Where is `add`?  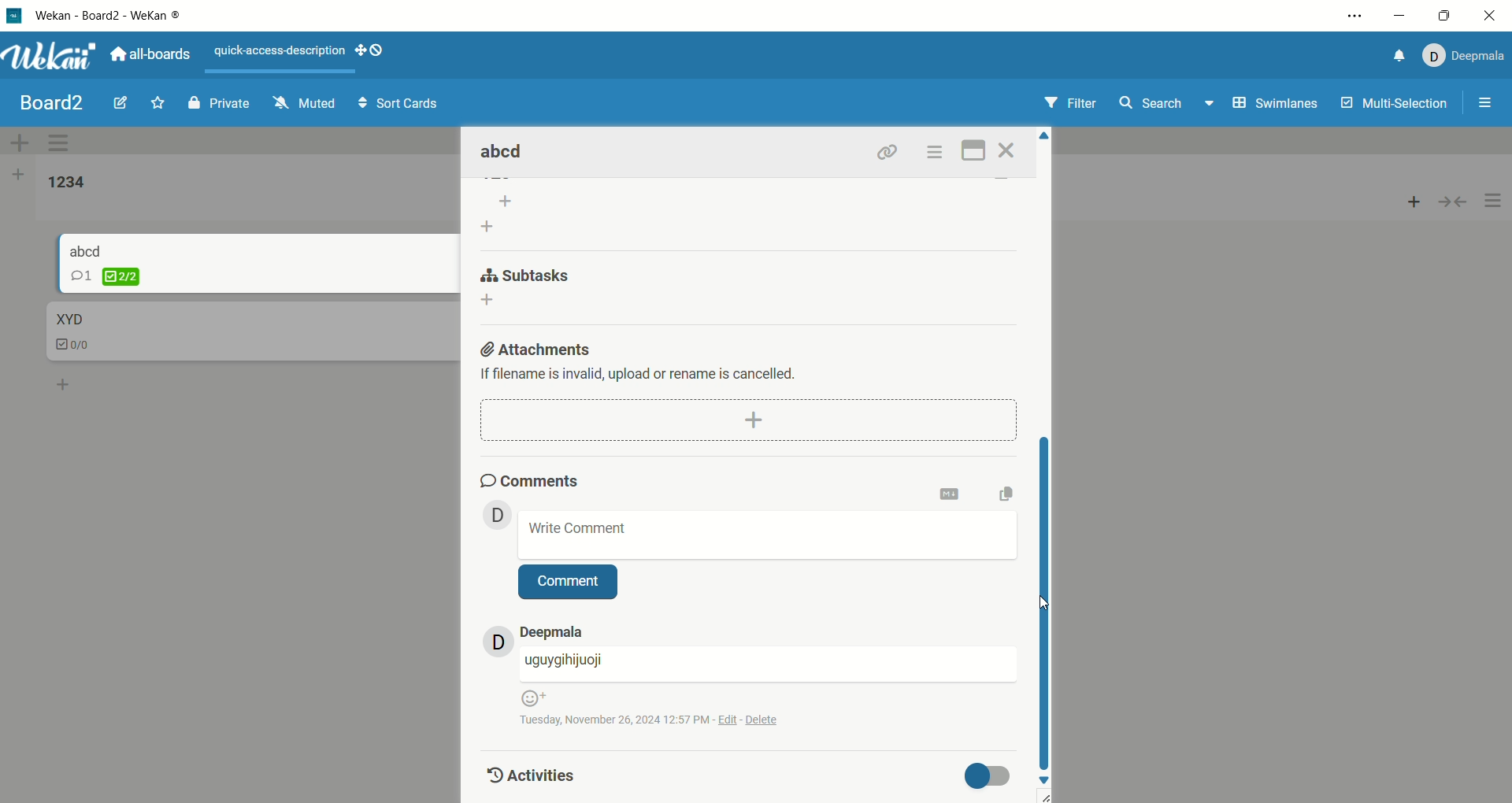 add is located at coordinates (748, 419).